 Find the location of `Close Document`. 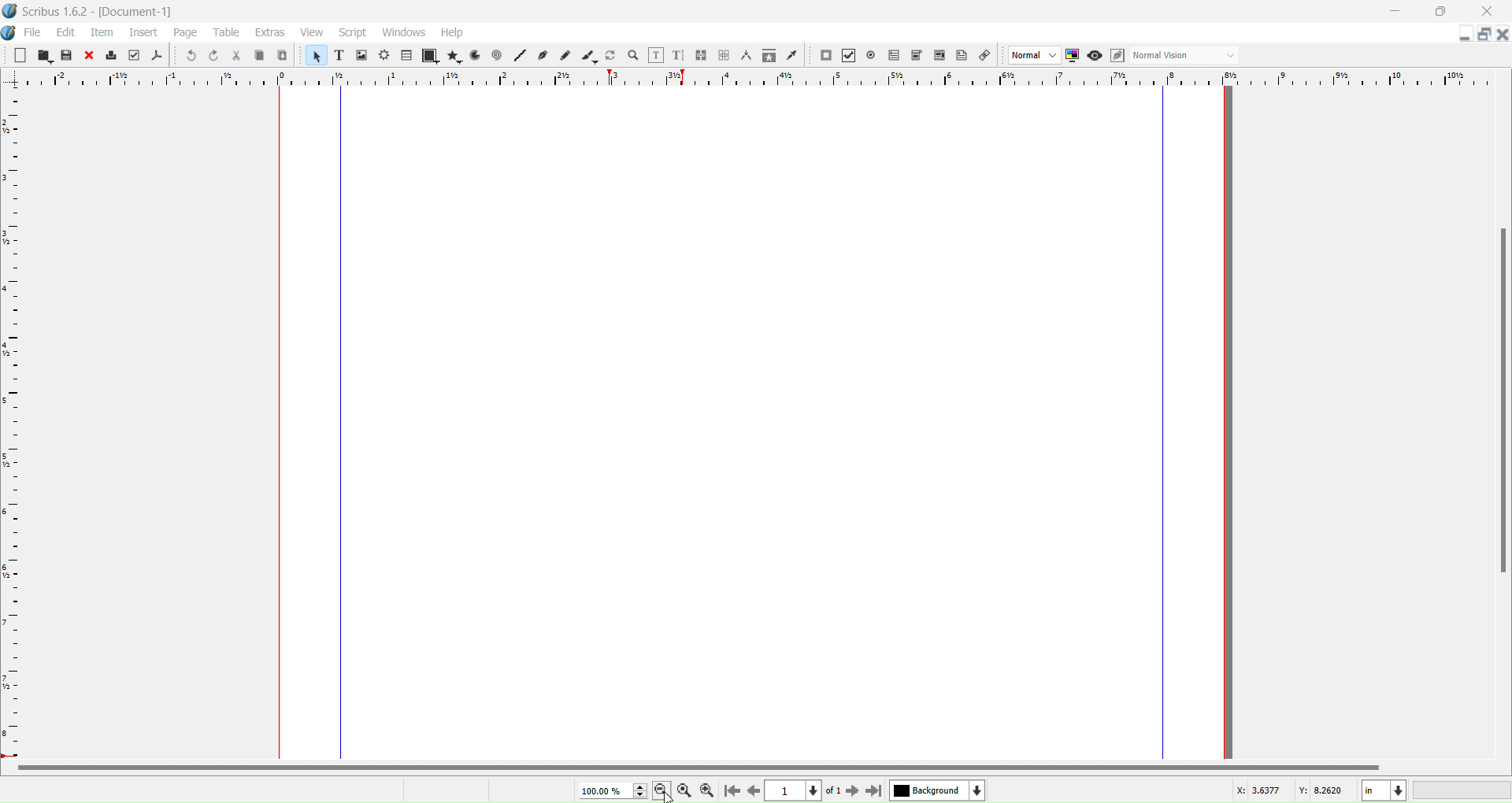

Close Document is located at coordinates (1503, 35).